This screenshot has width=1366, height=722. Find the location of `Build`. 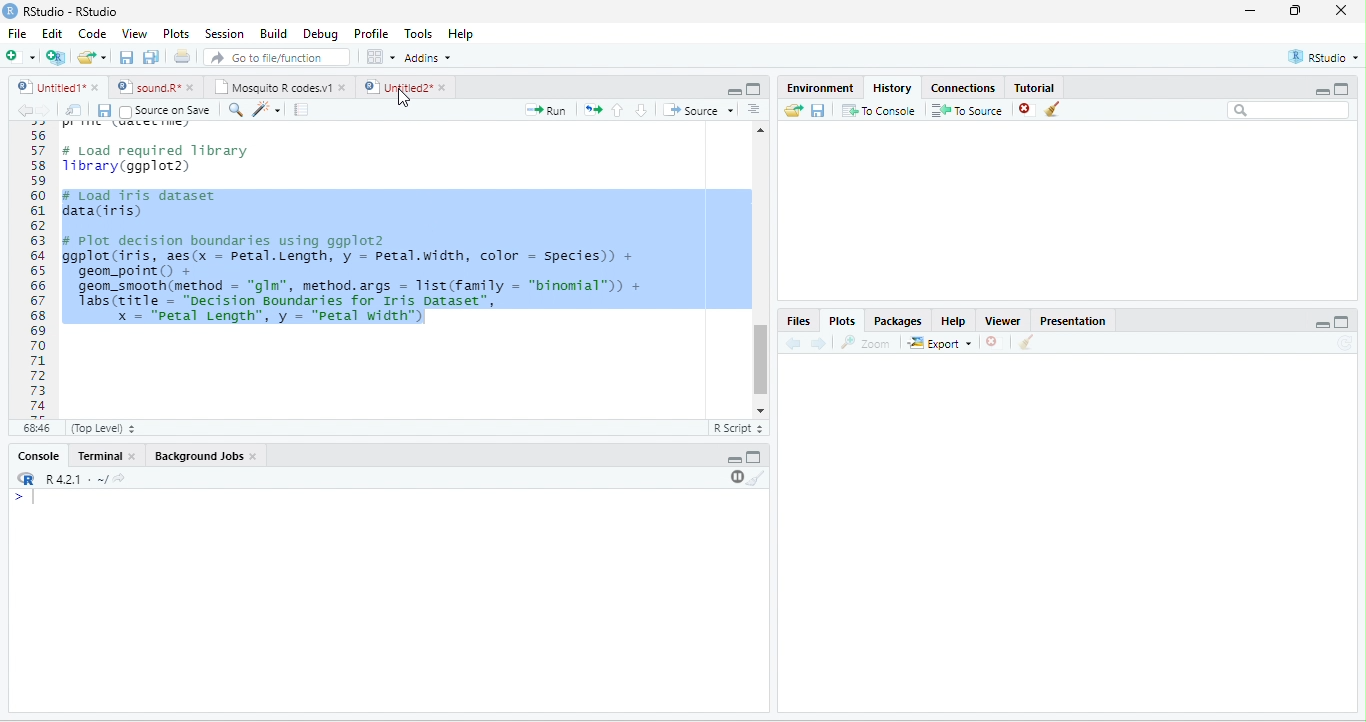

Build is located at coordinates (275, 34).